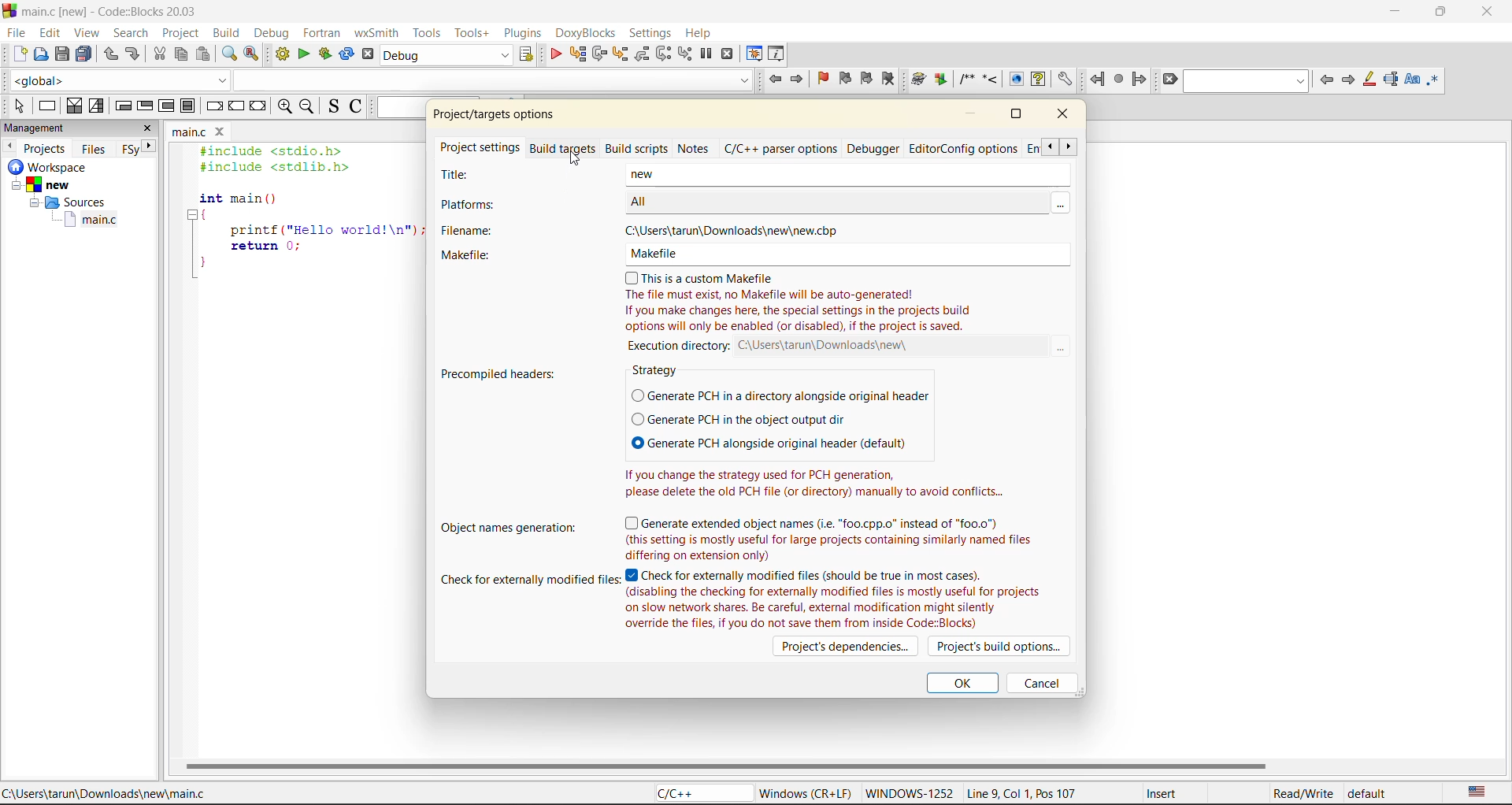 Image resolution: width=1512 pixels, height=805 pixels. I want to click on break instruction, so click(216, 108).